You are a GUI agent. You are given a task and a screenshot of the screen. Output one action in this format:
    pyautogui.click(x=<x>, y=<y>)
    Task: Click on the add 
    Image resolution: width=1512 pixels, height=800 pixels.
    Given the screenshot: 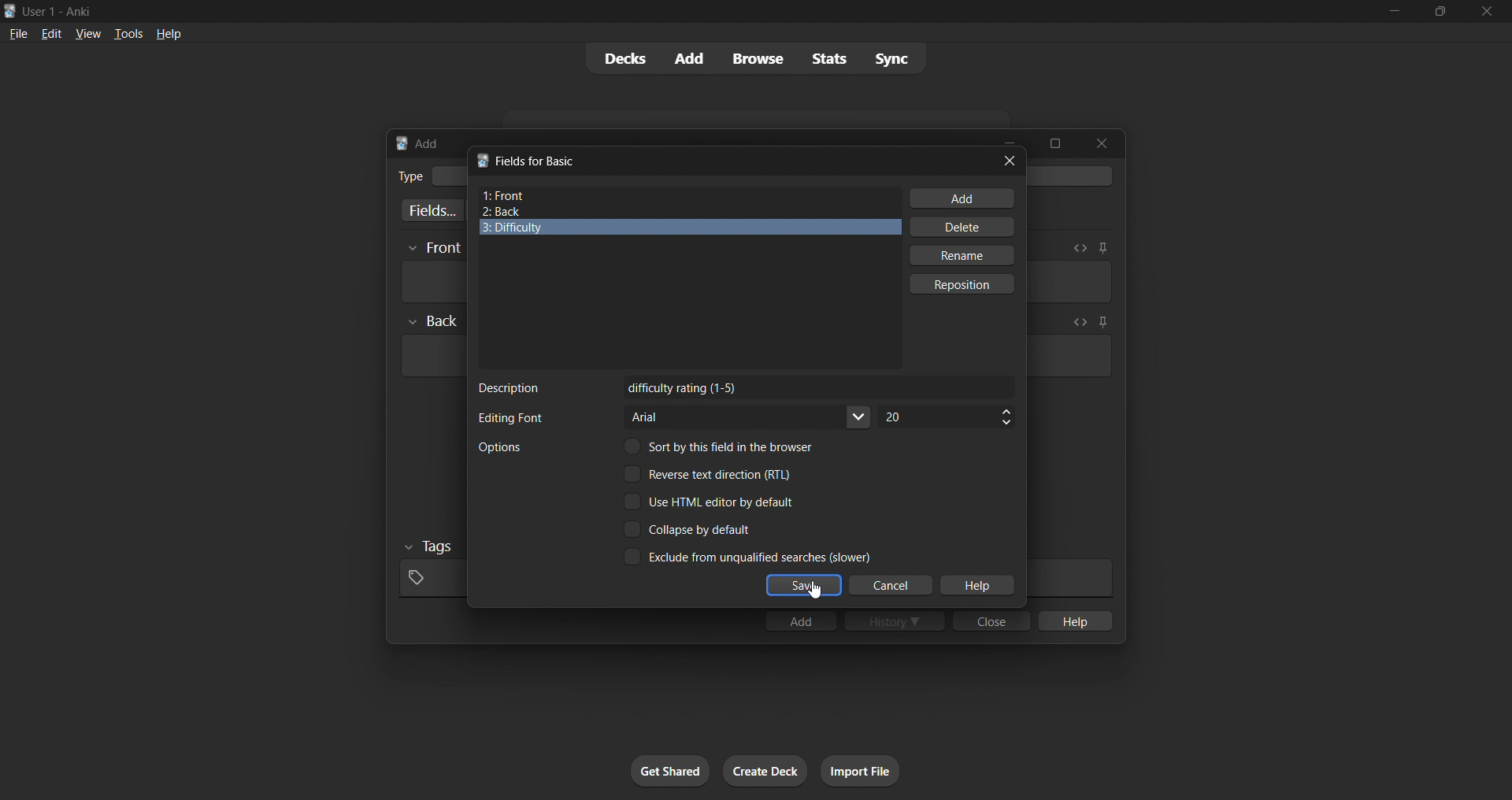 What is the action you would take?
    pyautogui.click(x=962, y=198)
    